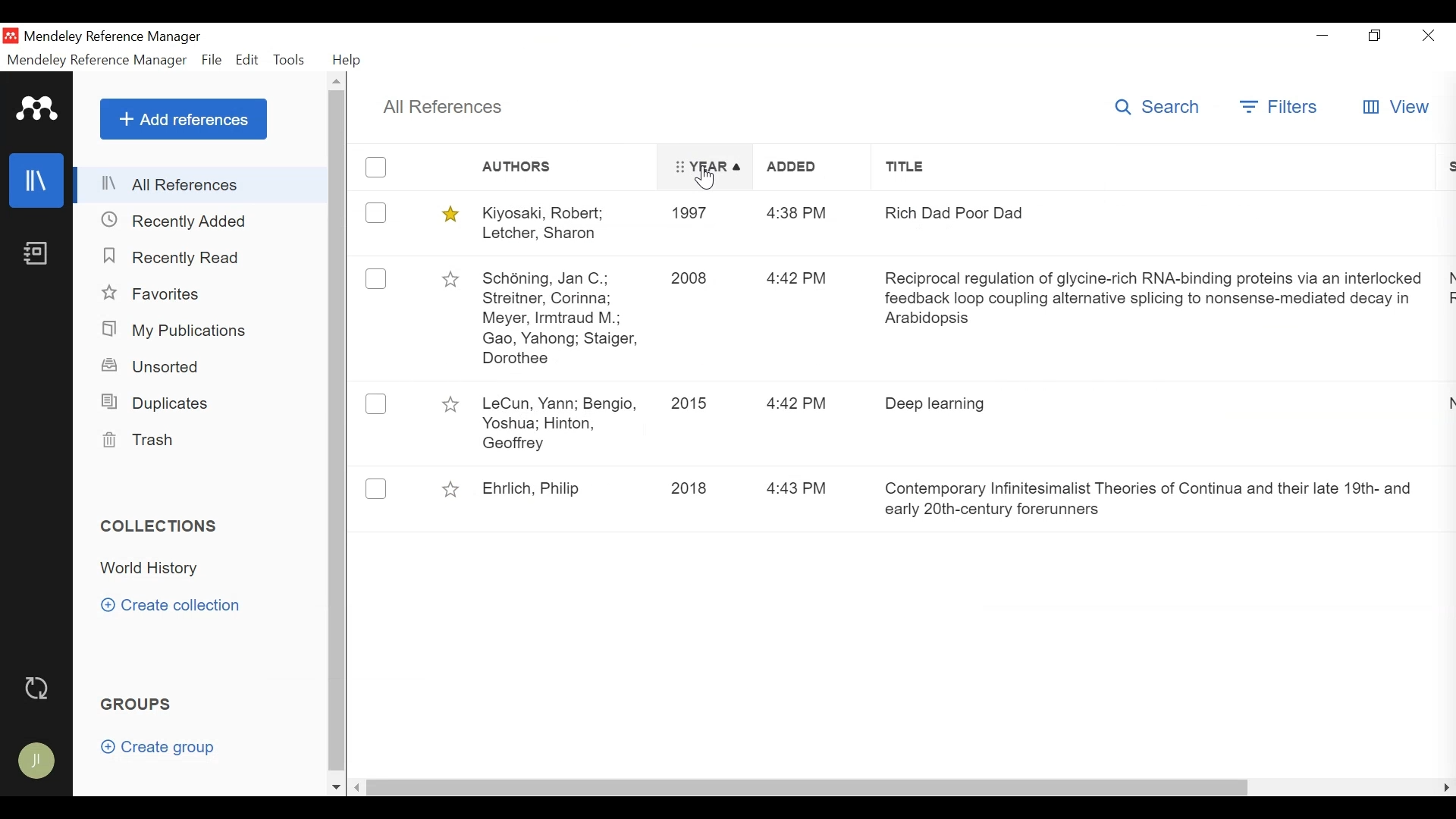 The height and width of the screenshot is (819, 1456). What do you see at coordinates (965, 212) in the screenshot?
I see `Rich Dad Poor Dad` at bounding box center [965, 212].